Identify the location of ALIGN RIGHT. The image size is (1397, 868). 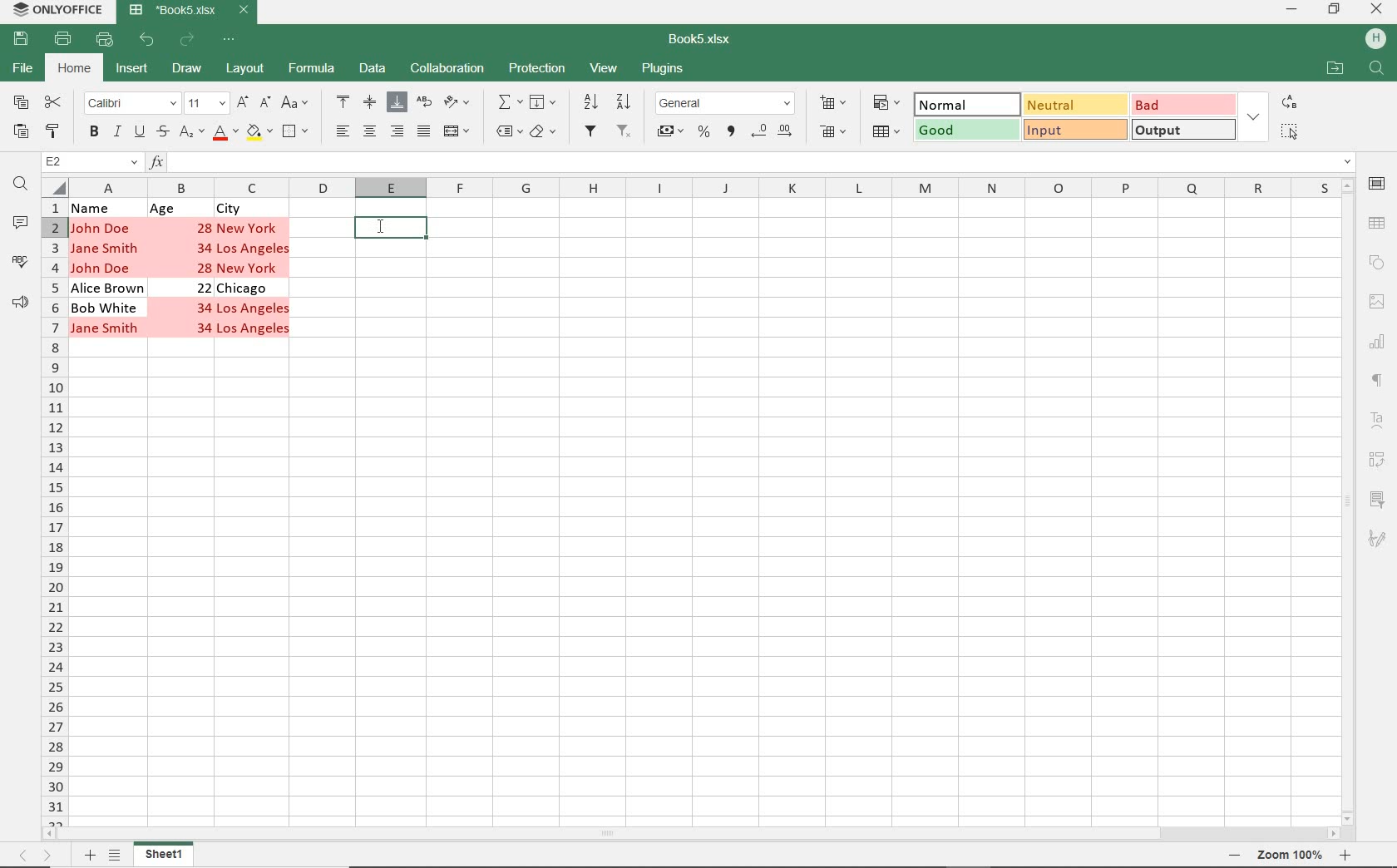
(397, 133).